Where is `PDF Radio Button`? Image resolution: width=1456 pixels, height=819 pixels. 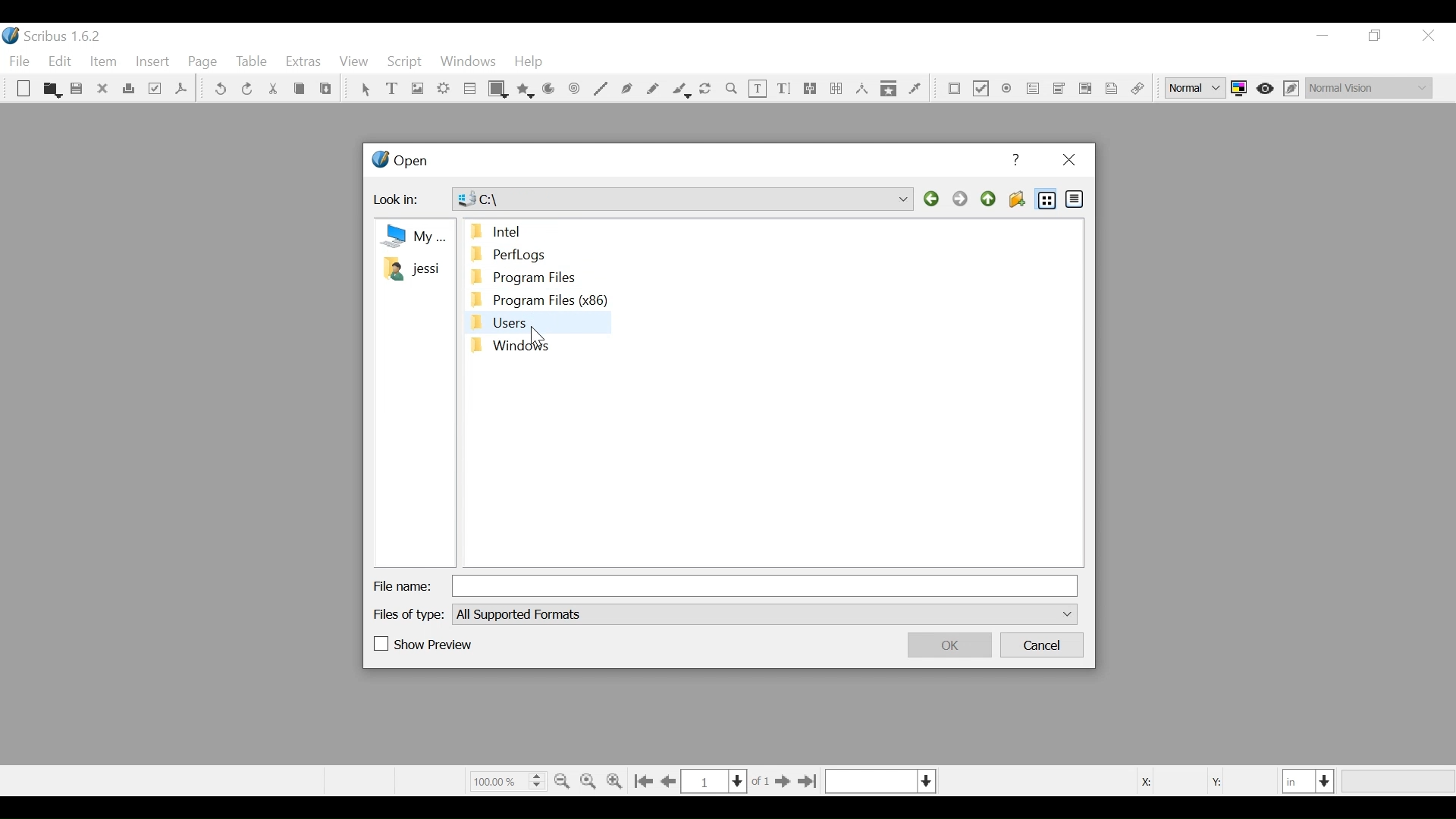 PDF Radio Button is located at coordinates (1008, 90).